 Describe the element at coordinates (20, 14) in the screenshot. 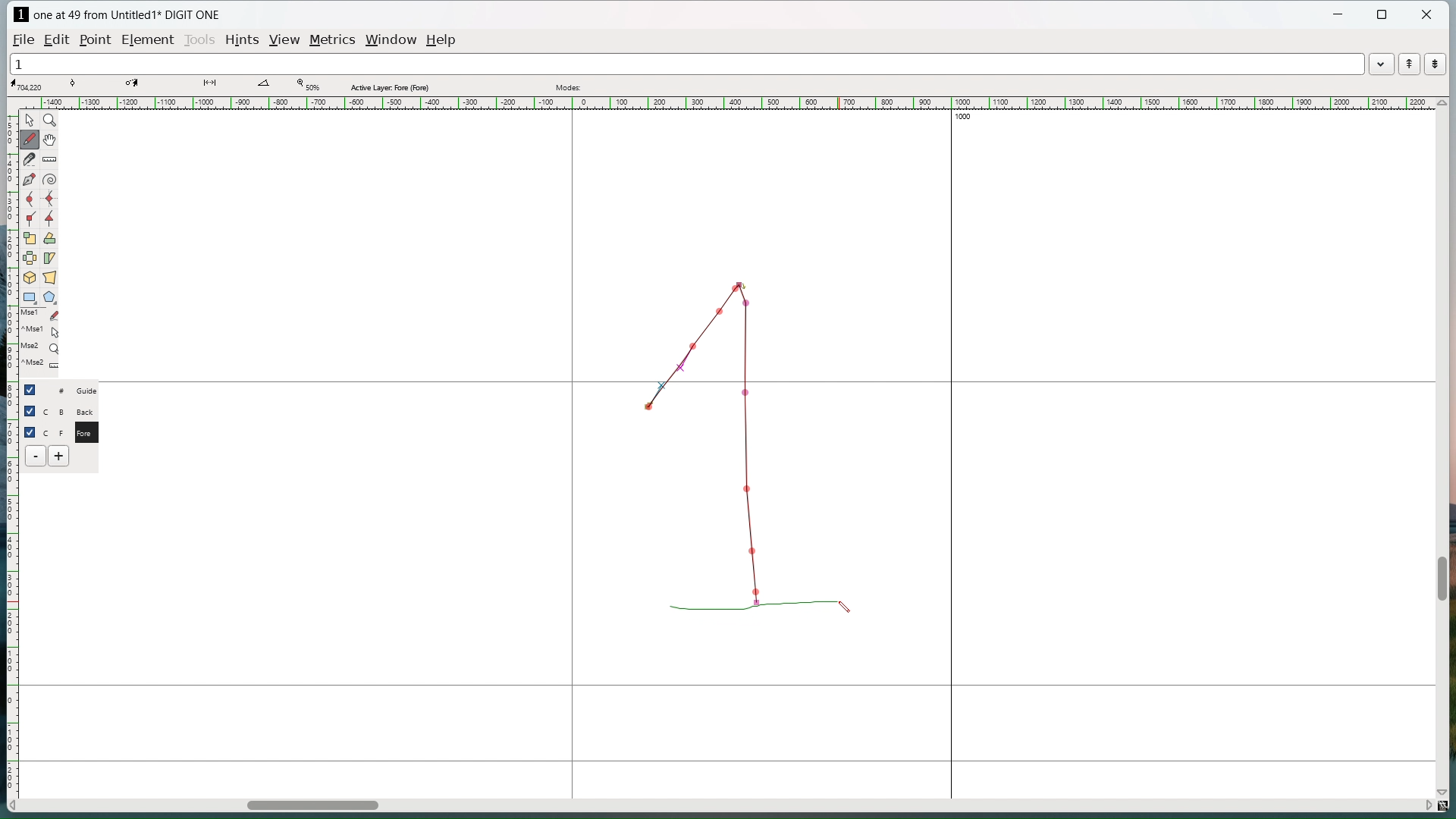

I see `logo` at that location.